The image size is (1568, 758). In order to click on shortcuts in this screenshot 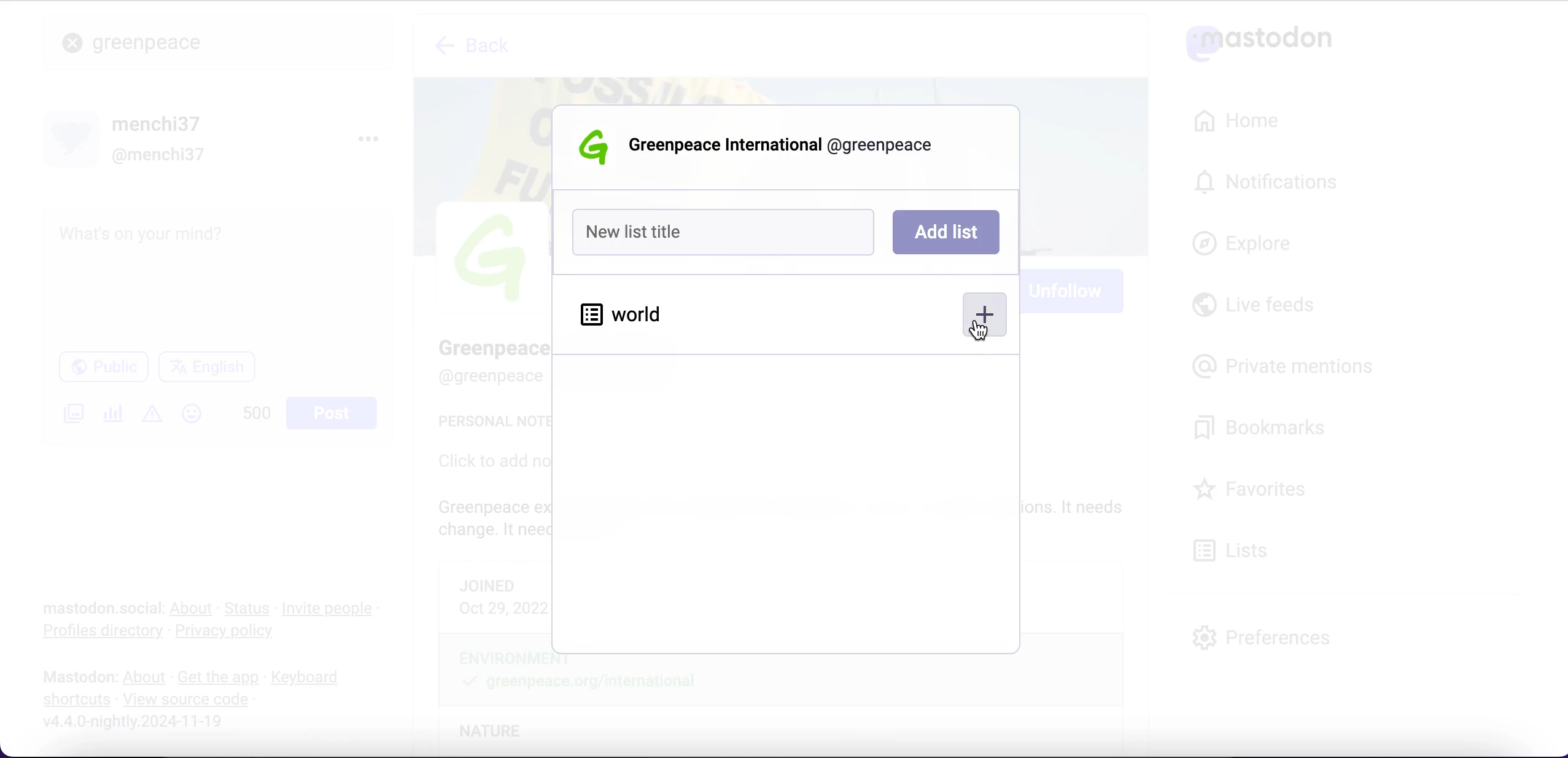, I will do `click(72, 700)`.